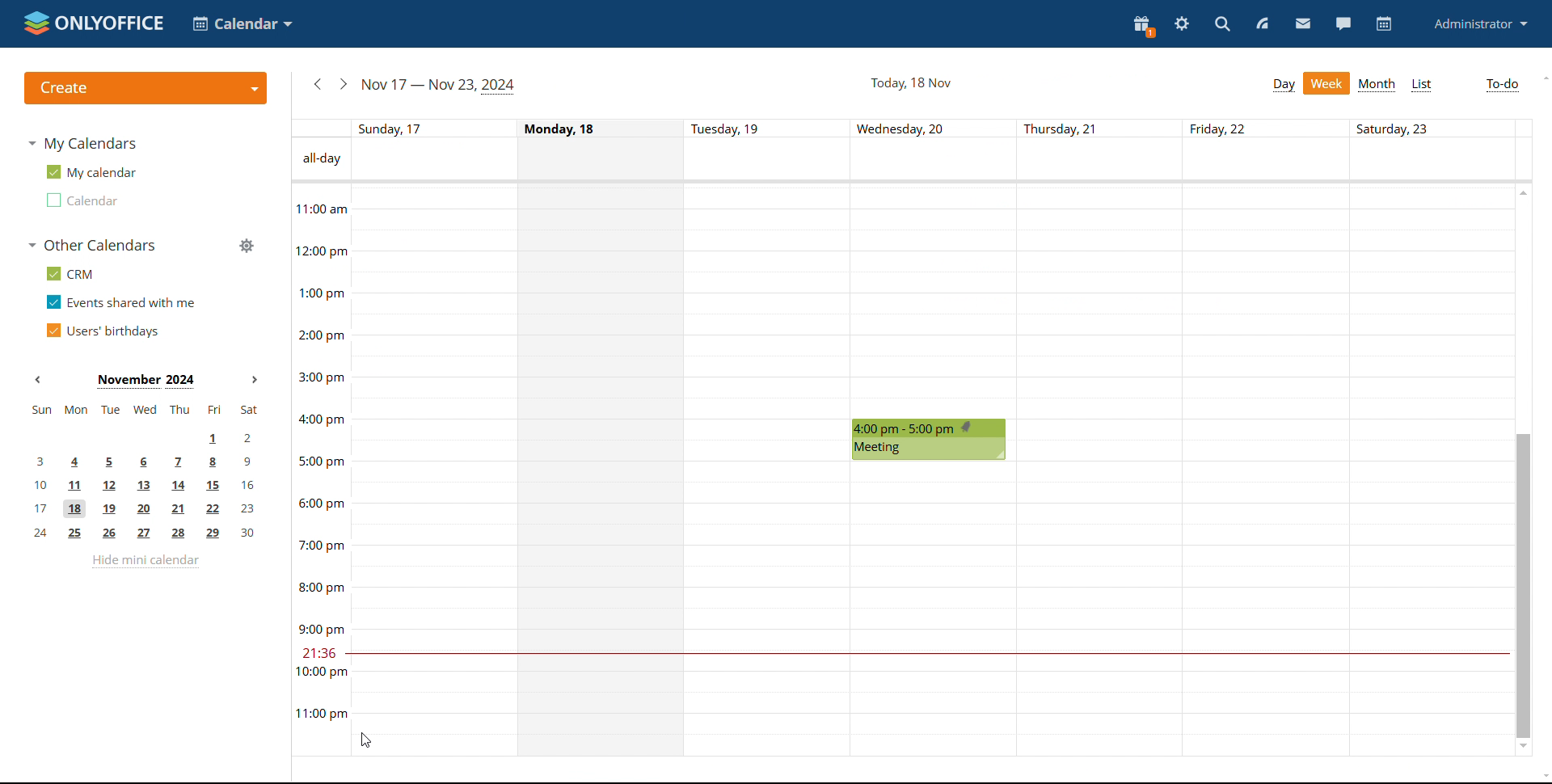 The image size is (1552, 784). Describe the element at coordinates (80, 200) in the screenshot. I see `second calendar` at that location.